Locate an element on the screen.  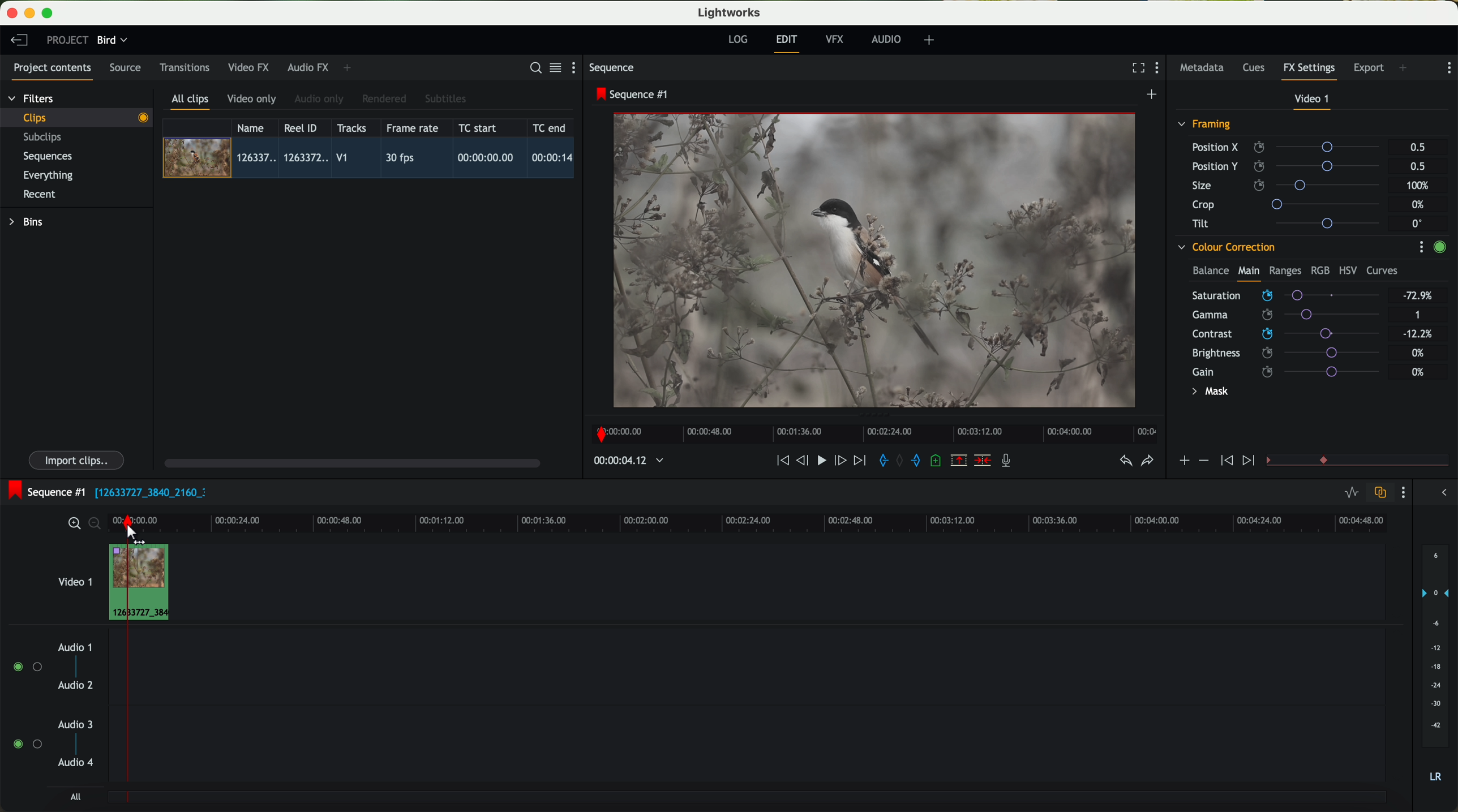
record a voice-over is located at coordinates (1010, 462).